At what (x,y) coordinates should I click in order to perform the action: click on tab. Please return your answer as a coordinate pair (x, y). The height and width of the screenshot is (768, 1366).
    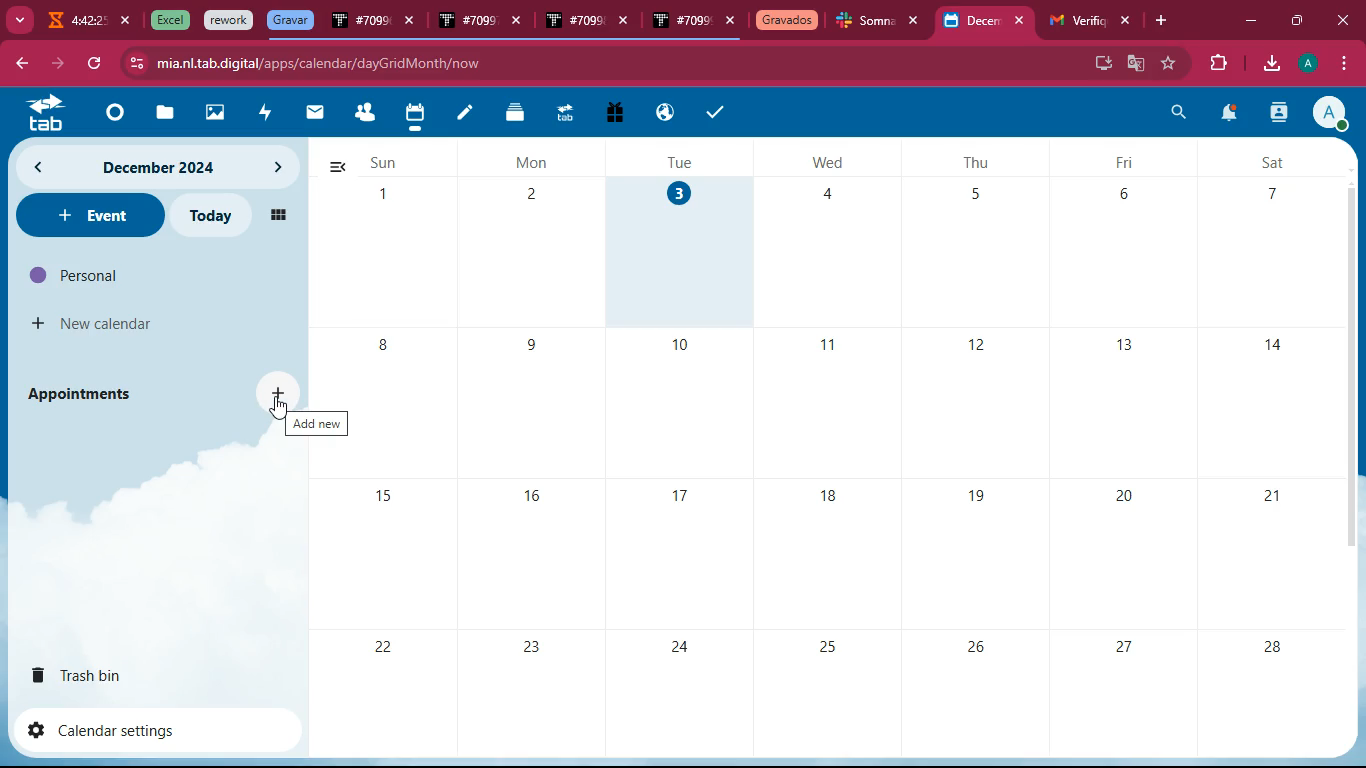
    Looking at the image, I should click on (1074, 21).